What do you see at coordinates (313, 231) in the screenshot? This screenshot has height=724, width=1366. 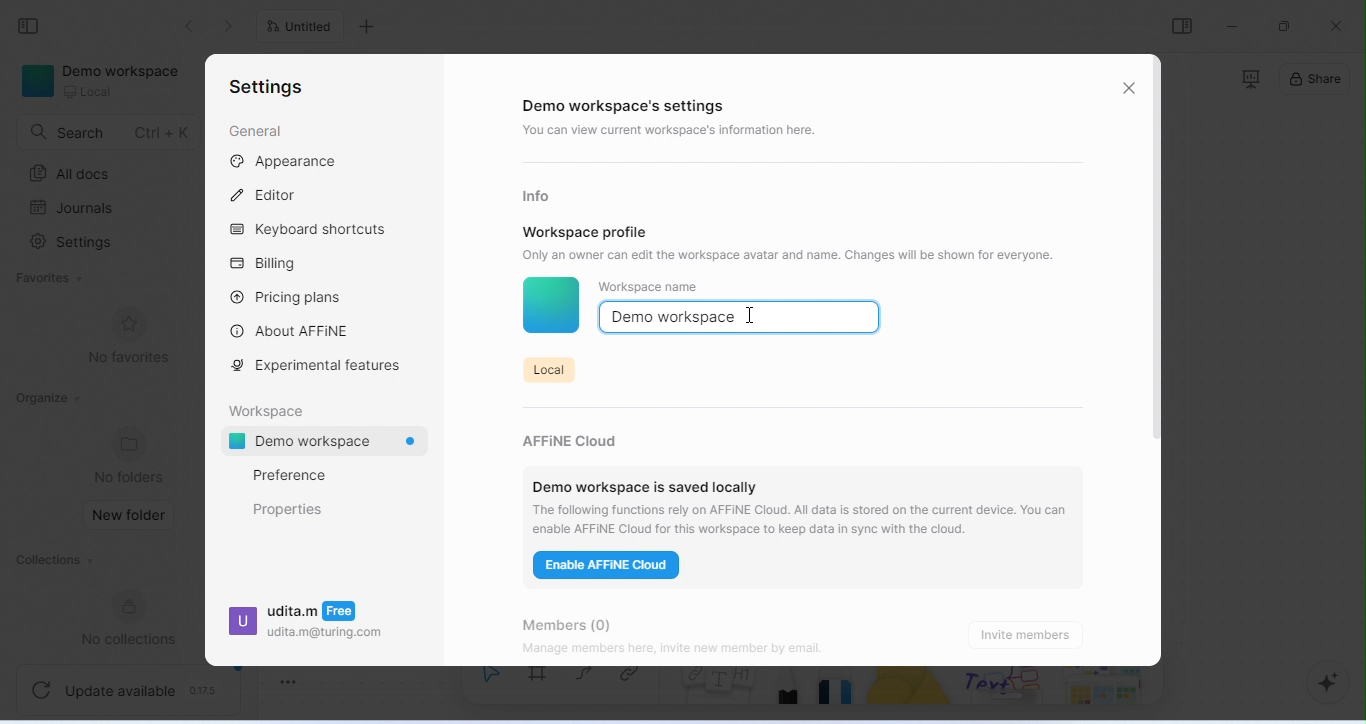 I see `keyboard shortcuts` at bounding box center [313, 231].